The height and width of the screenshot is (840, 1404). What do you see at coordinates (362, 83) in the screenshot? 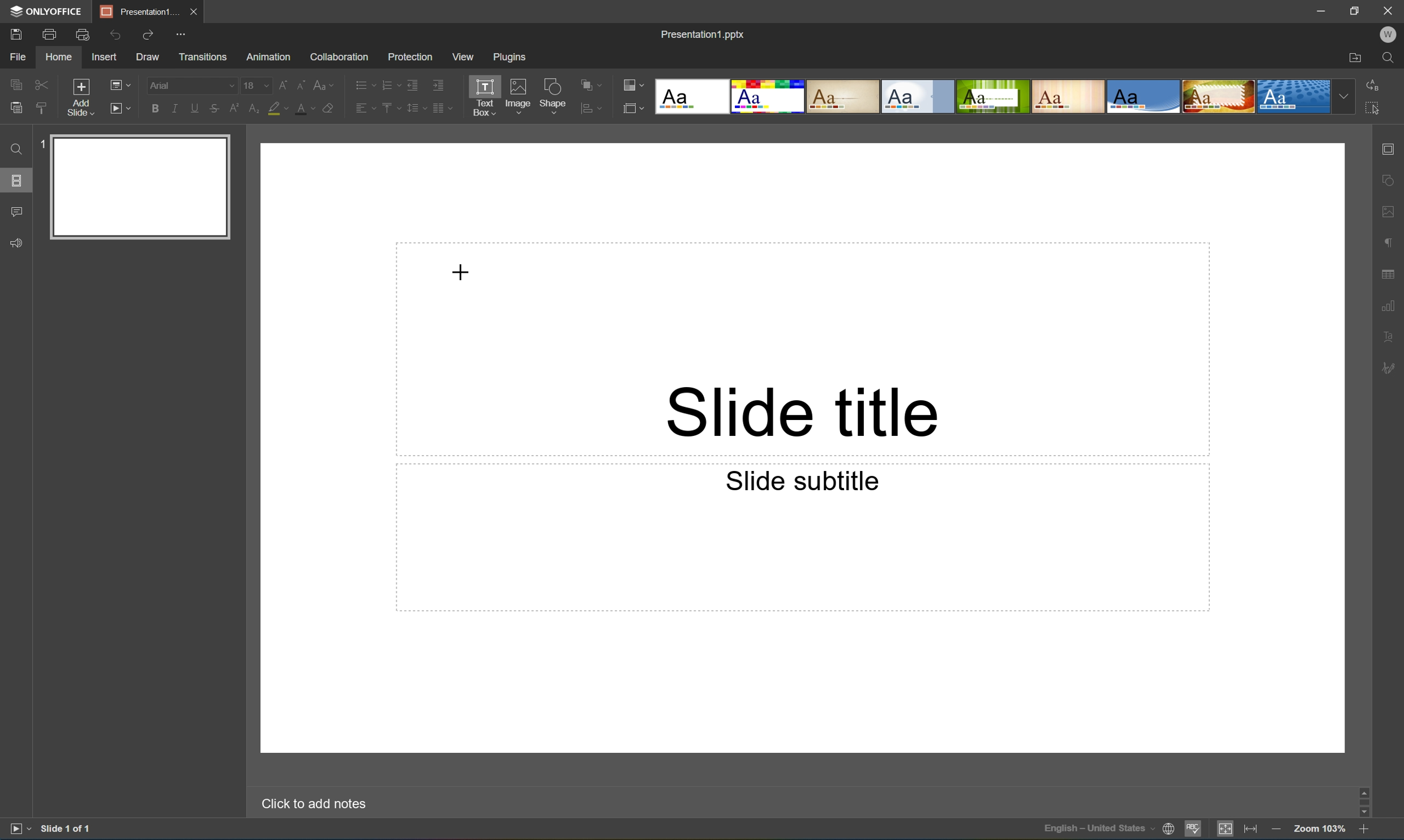
I see `Bullets` at bounding box center [362, 83].